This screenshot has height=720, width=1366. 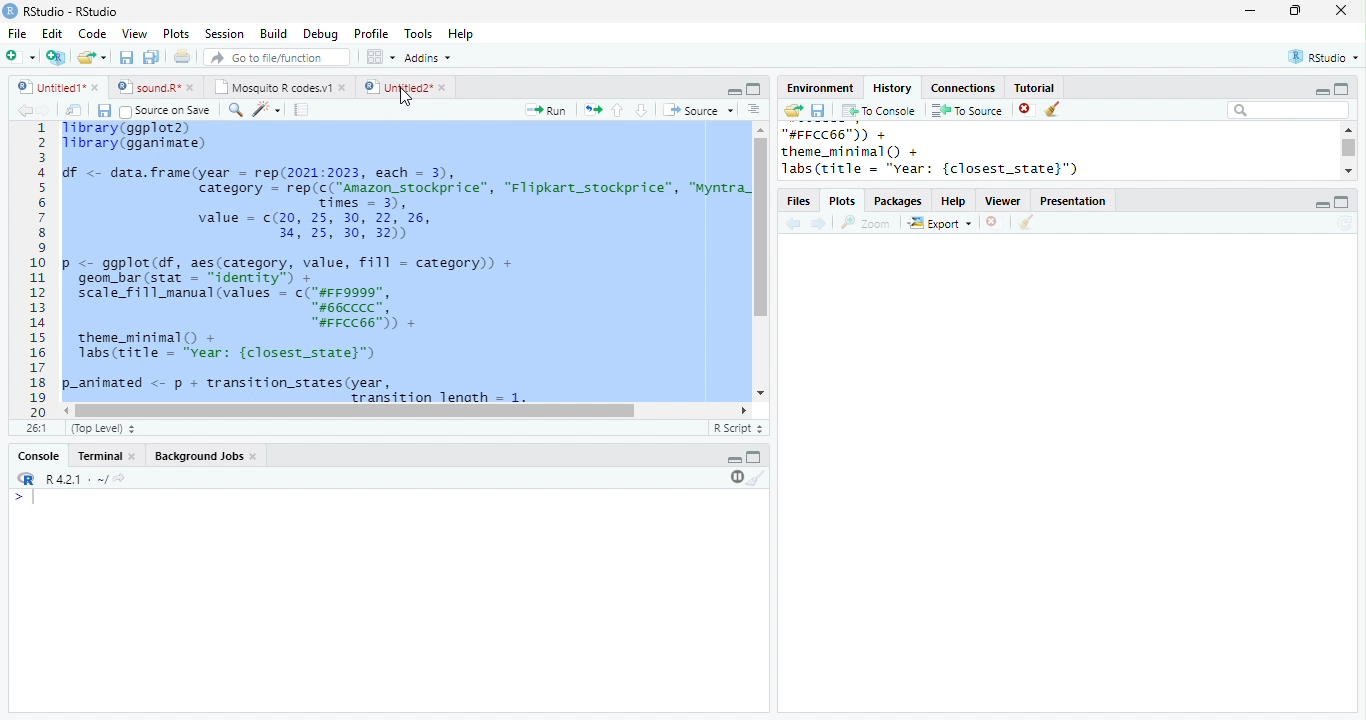 What do you see at coordinates (428, 57) in the screenshot?
I see `Addins` at bounding box center [428, 57].